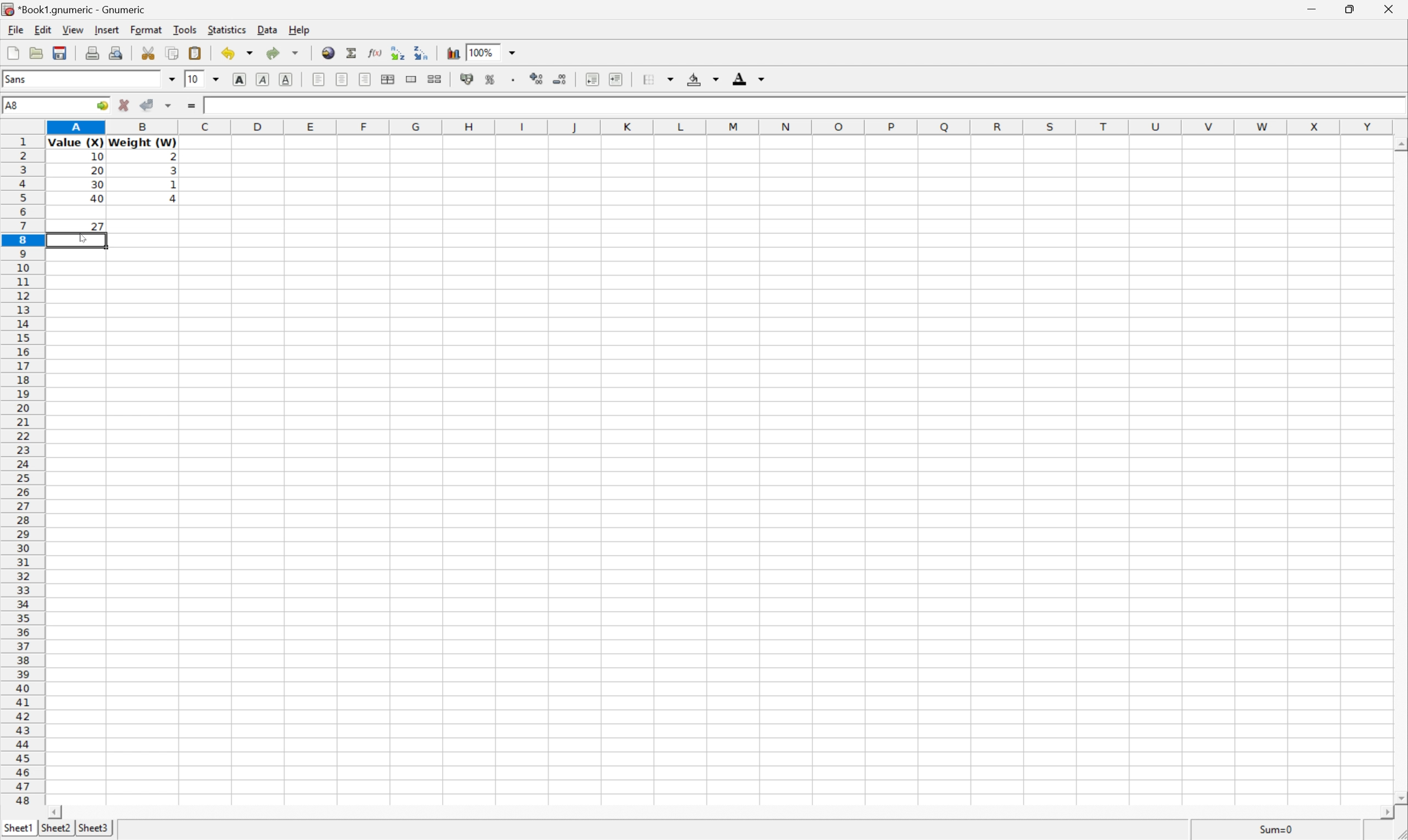 The width and height of the screenshot is (1408, 840). Describe the element at coordinates (1349, 9) in the screenshot. I see `Restore Down` at that location.